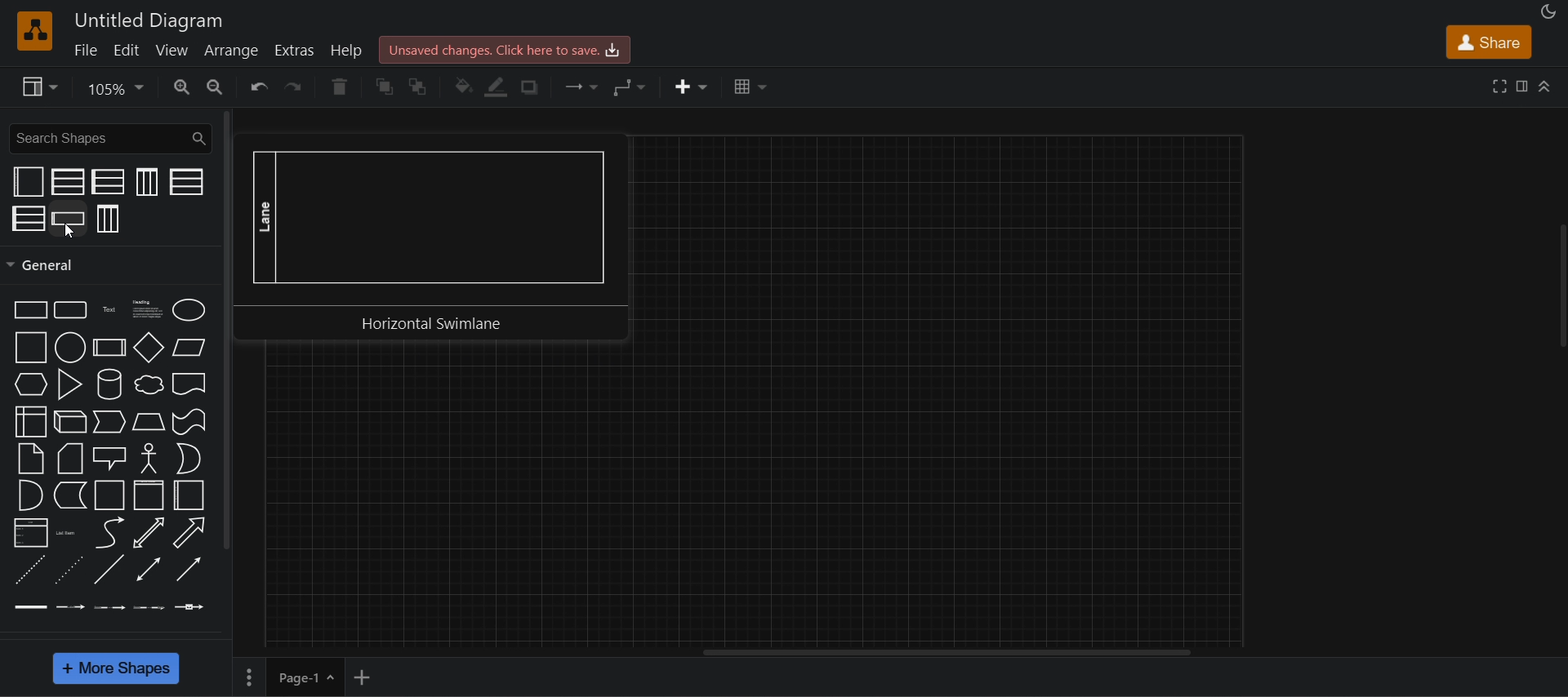  What do you see at coordinates (67, 534) in the screenshot?
I see `list item` at bounding box center [67, 534].